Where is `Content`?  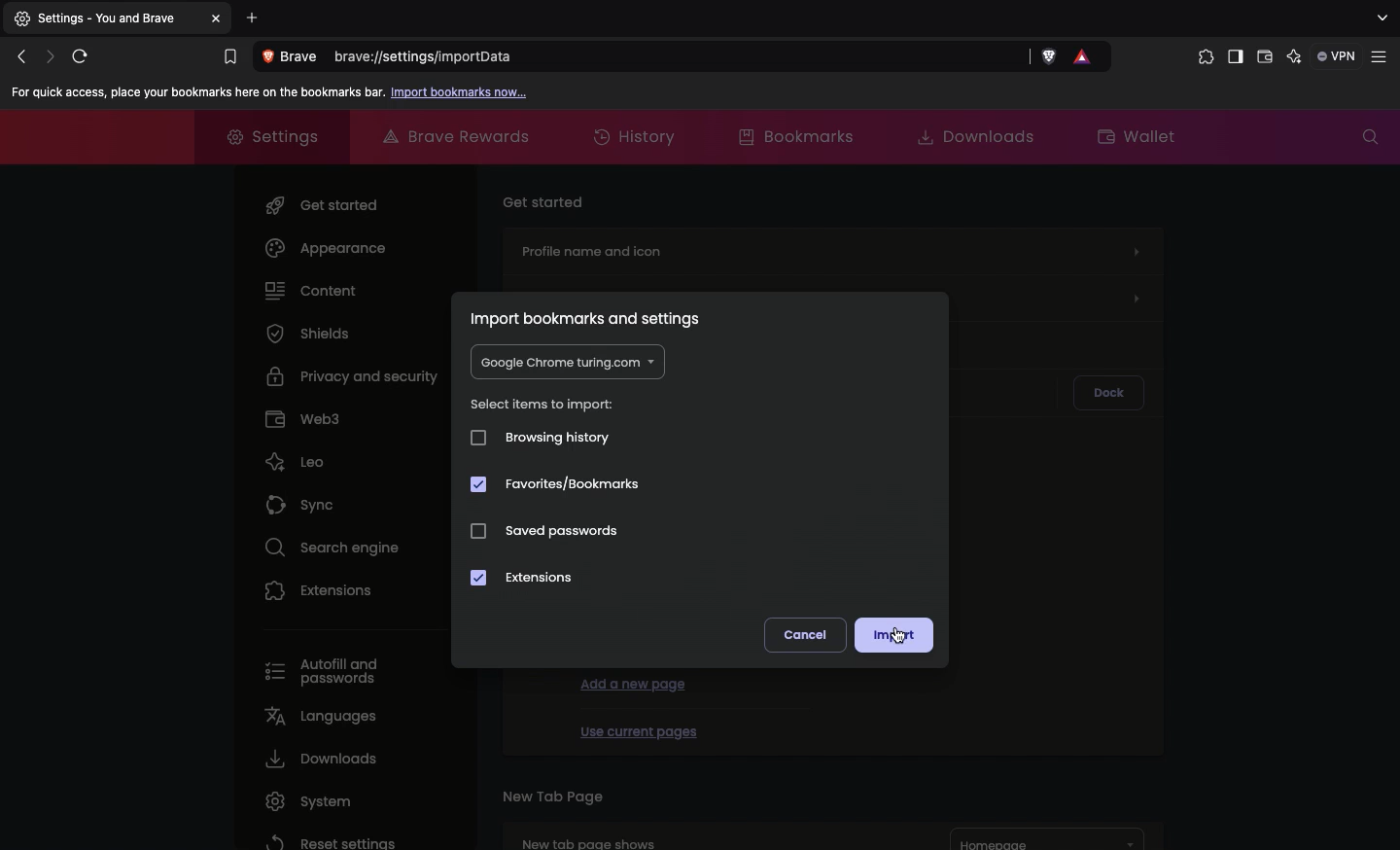 Content is located at coordinates (312, 289).